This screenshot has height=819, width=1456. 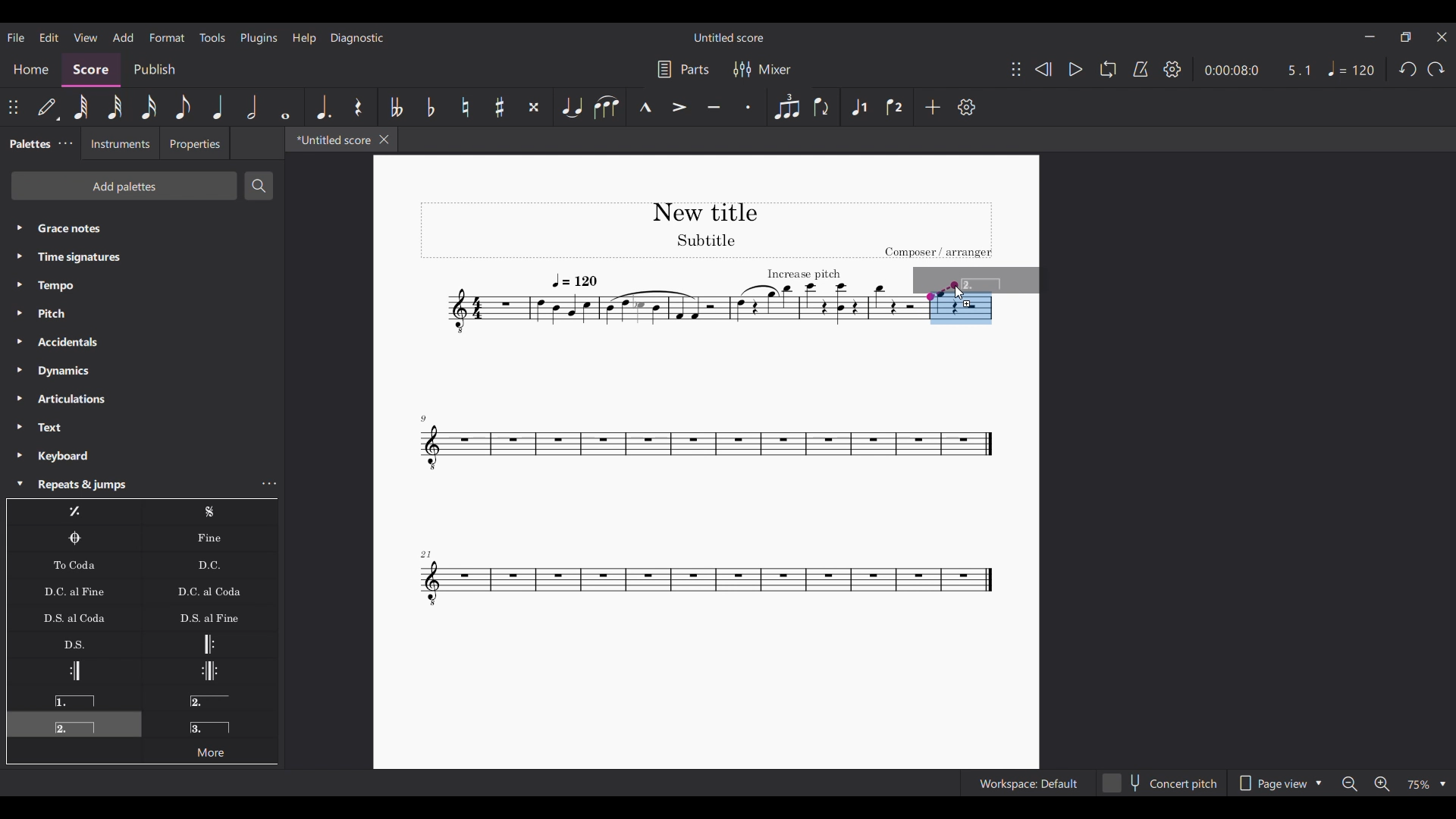 I want to click on Properties, so click(x=194, y=143).